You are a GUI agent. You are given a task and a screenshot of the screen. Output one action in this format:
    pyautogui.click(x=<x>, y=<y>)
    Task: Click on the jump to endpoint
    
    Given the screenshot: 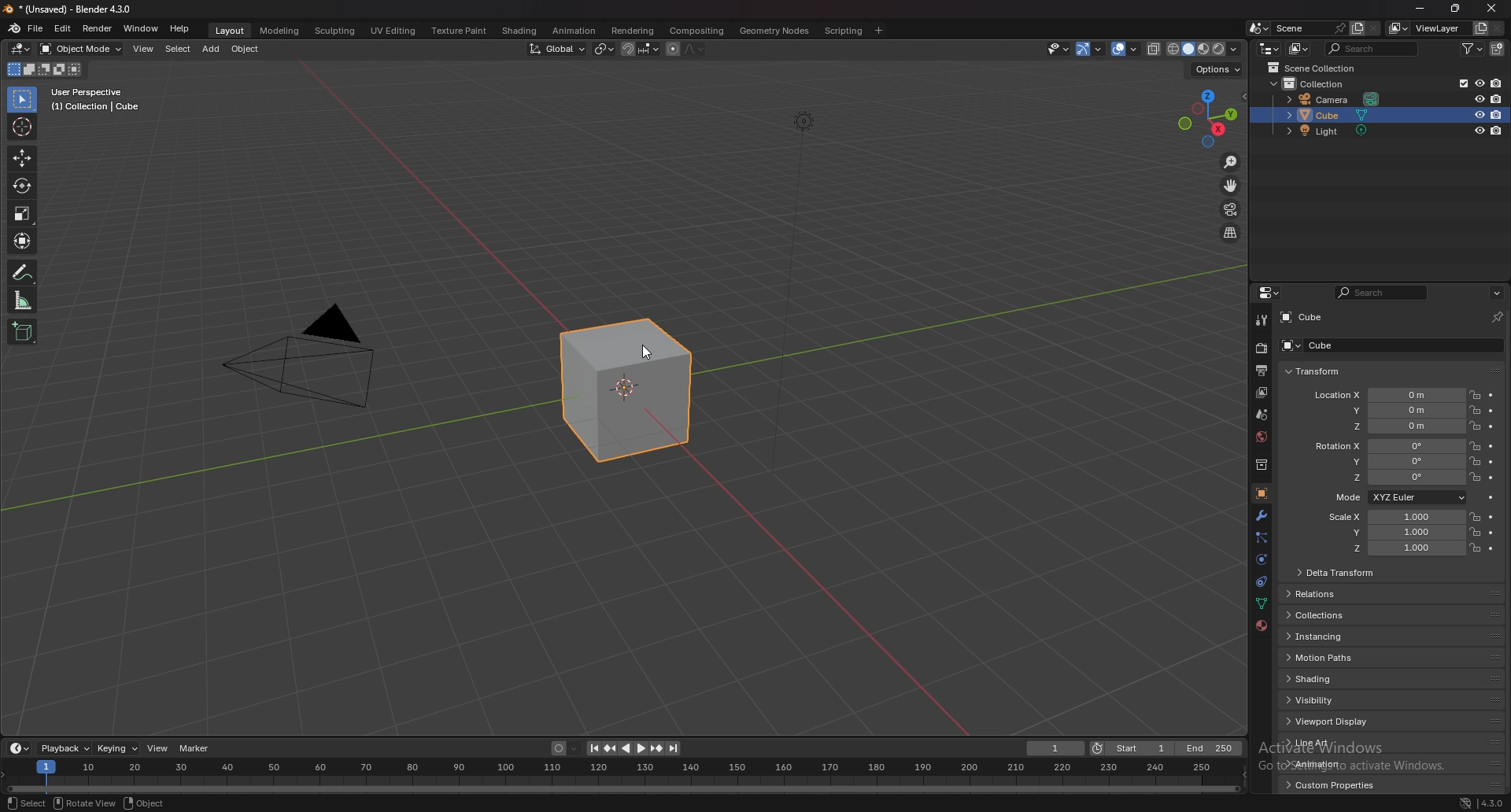 What is the action you would take?
    pyautogui.click(x=592, y=748)
    